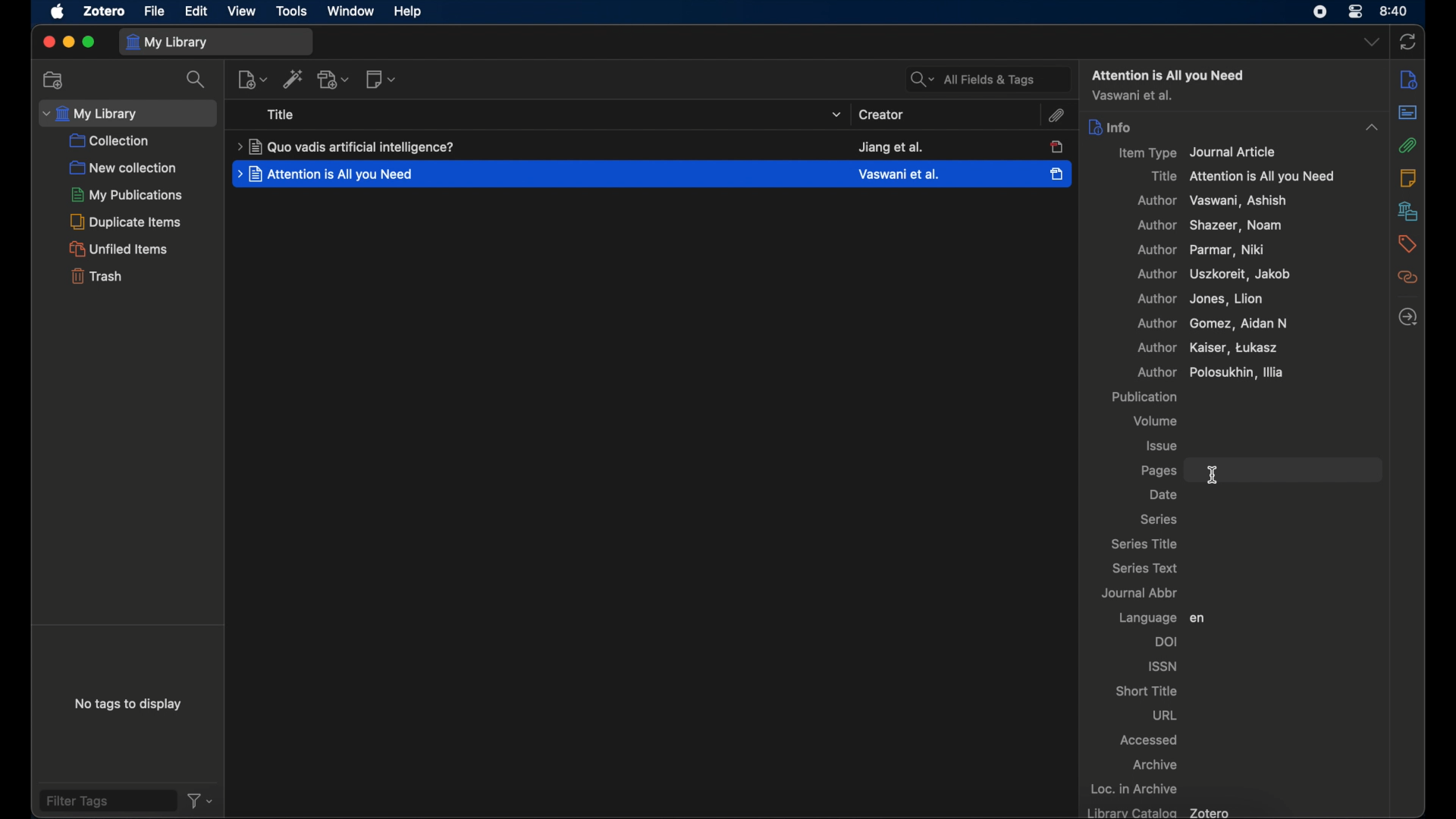 This screenshot has height=819, width=1456. What do you see at coordinates (196, 13) in the screenshot?
I see `edit` at bounding box center [196, 13].